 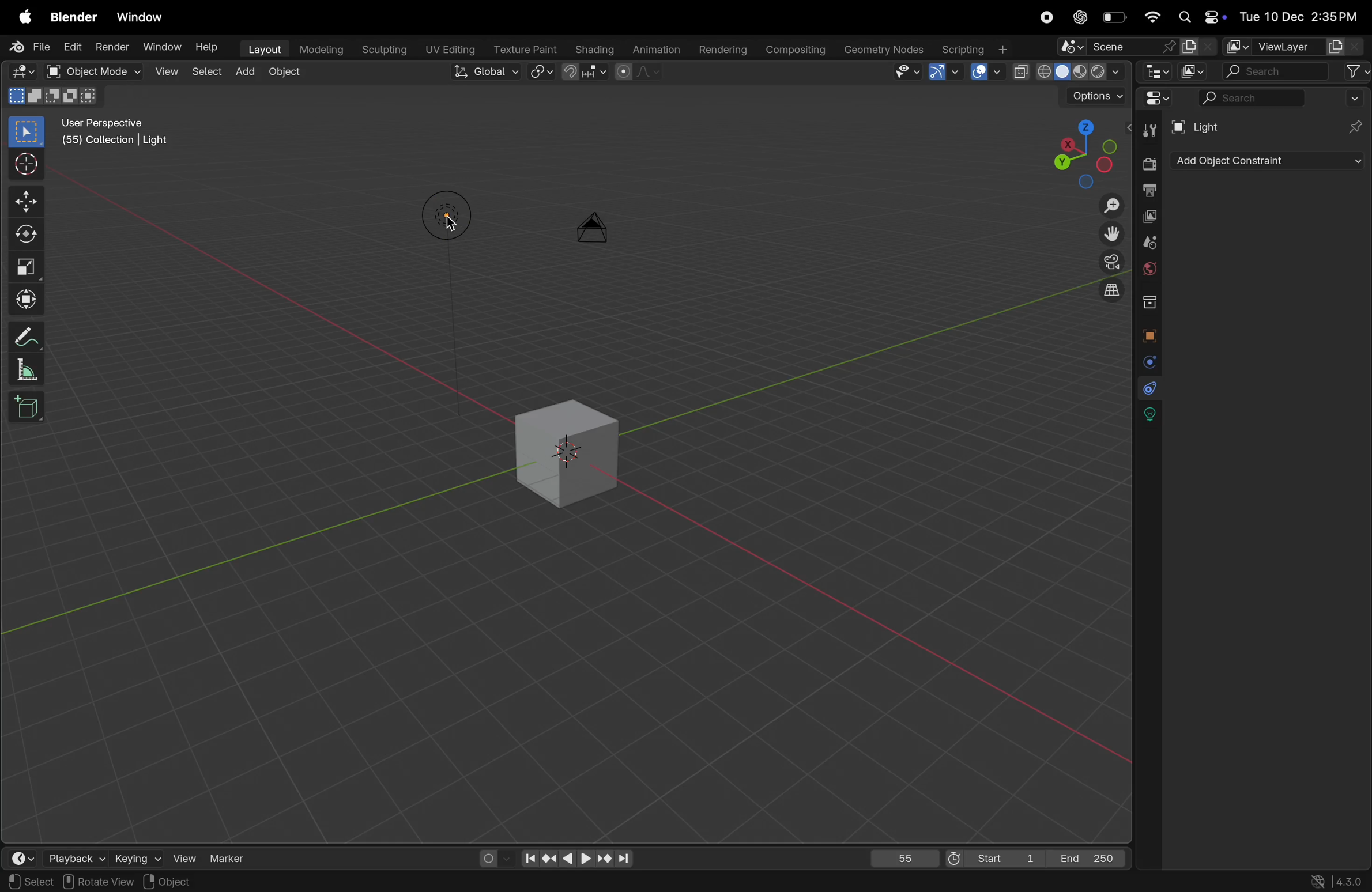 I want to click on geometery nodes, so click(x=884, y=48).